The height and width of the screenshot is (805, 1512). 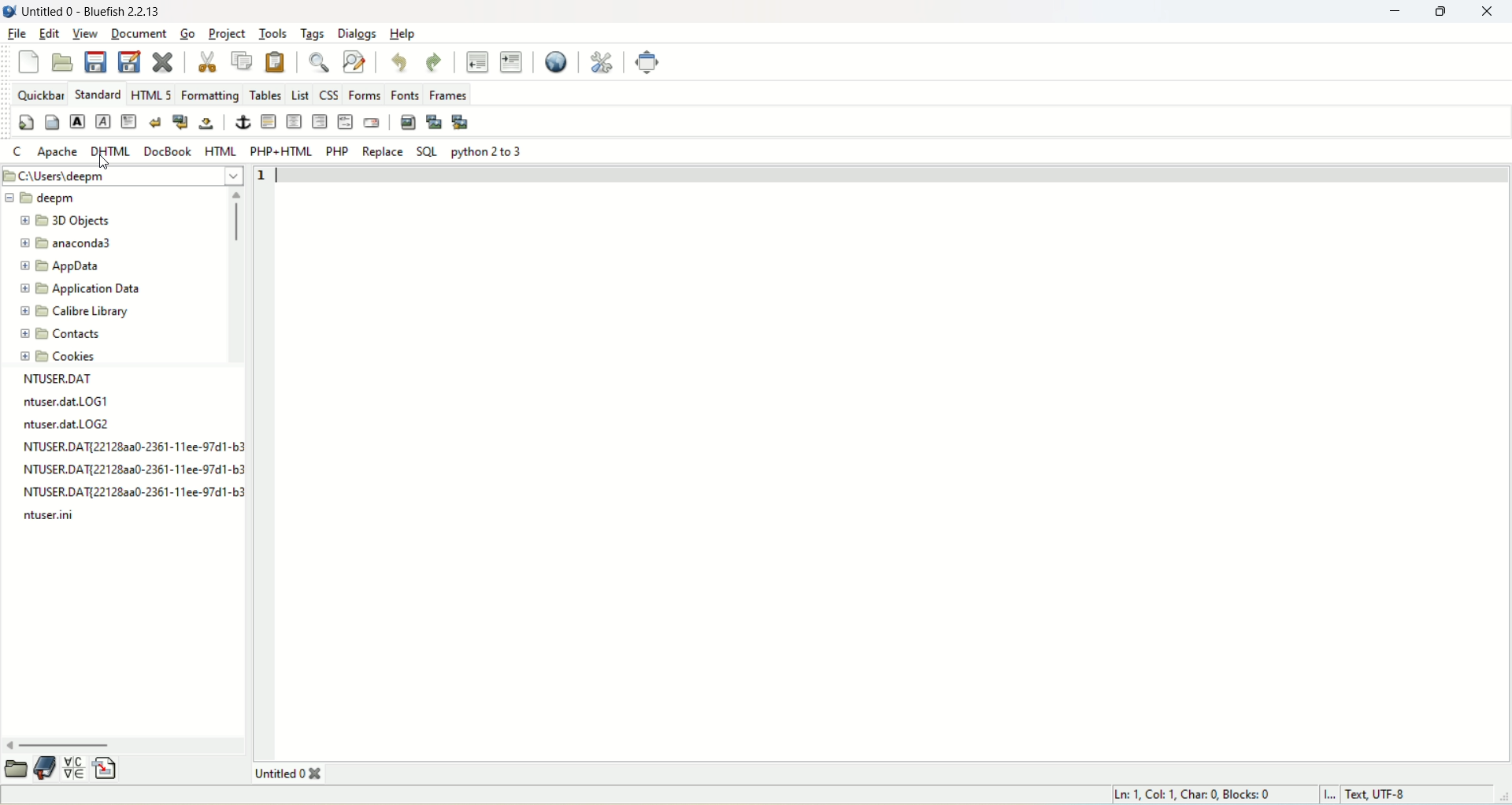 What do you see at coordinates (1329, 794) in the screenshot?
I see `I` at bounding box center [1329, 794].